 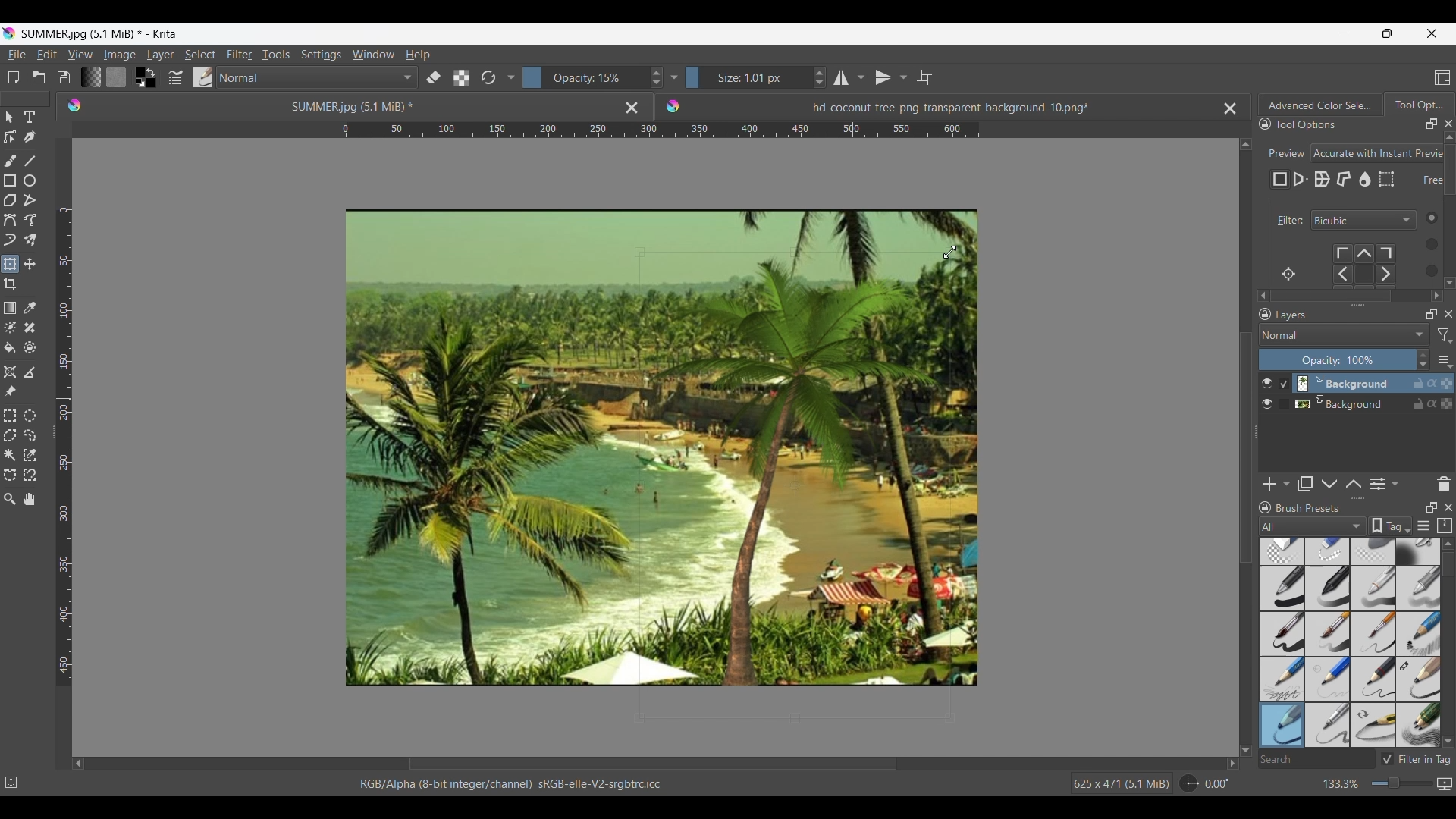 What do you see at coordinates (239, 55) in the screenshot?
I see `Filter` at bounding box center [239, 55].